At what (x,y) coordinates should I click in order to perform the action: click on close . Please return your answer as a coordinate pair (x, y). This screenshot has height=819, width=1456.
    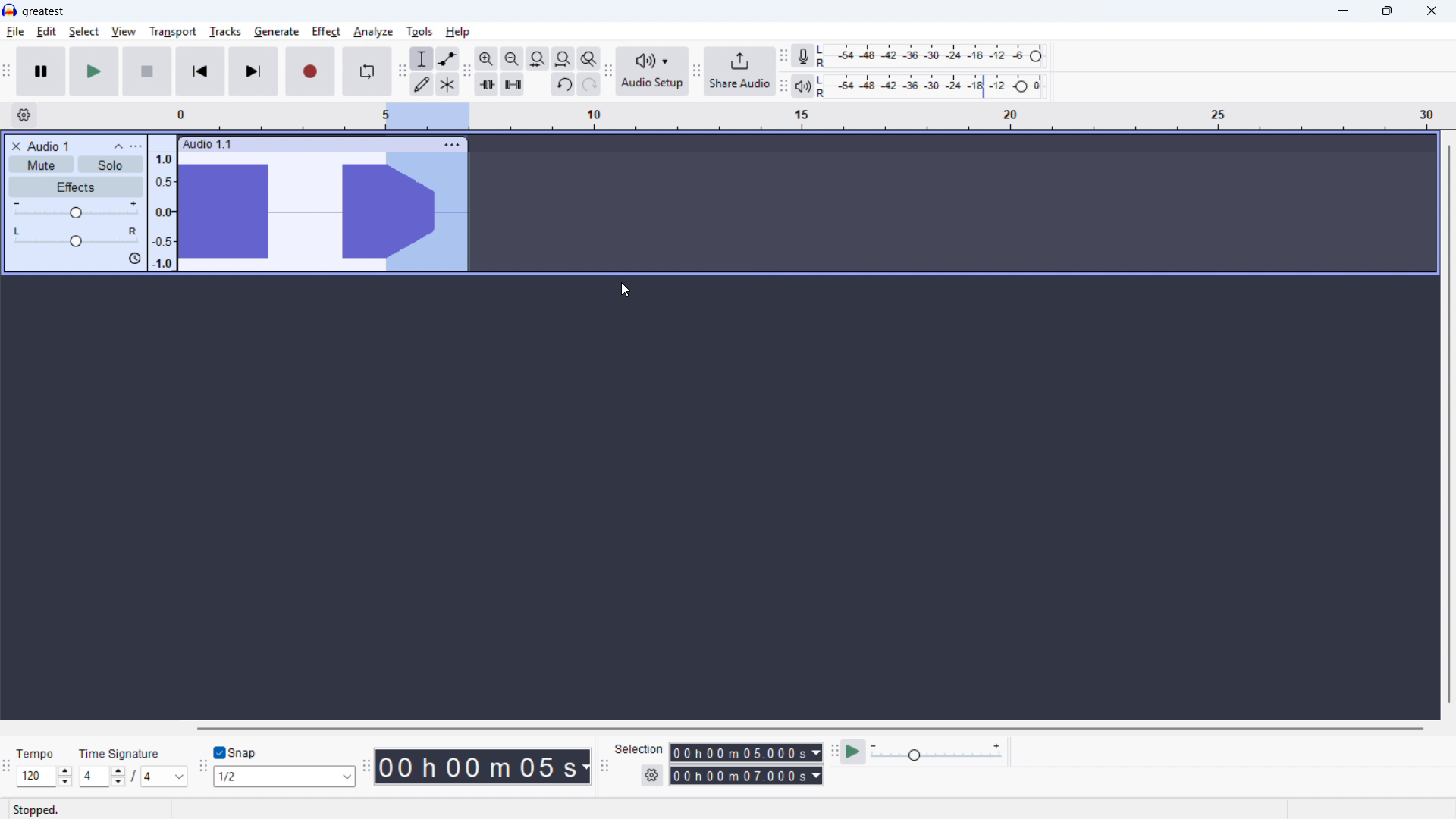
    Looking at the image, I should click on (1431, 11).